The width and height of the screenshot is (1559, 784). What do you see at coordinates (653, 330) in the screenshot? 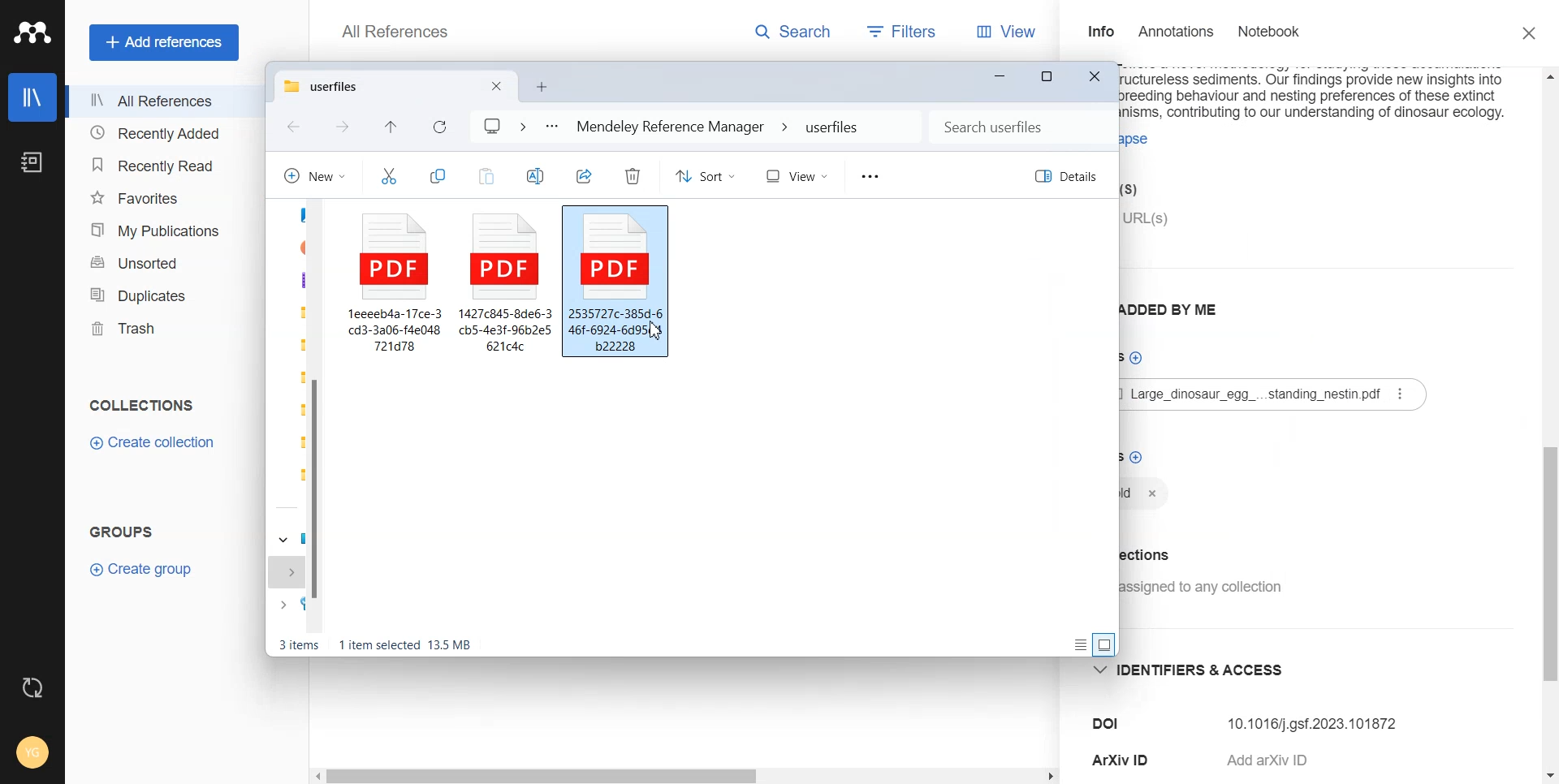
I see `Cursor` at bounding box center [653, 330].